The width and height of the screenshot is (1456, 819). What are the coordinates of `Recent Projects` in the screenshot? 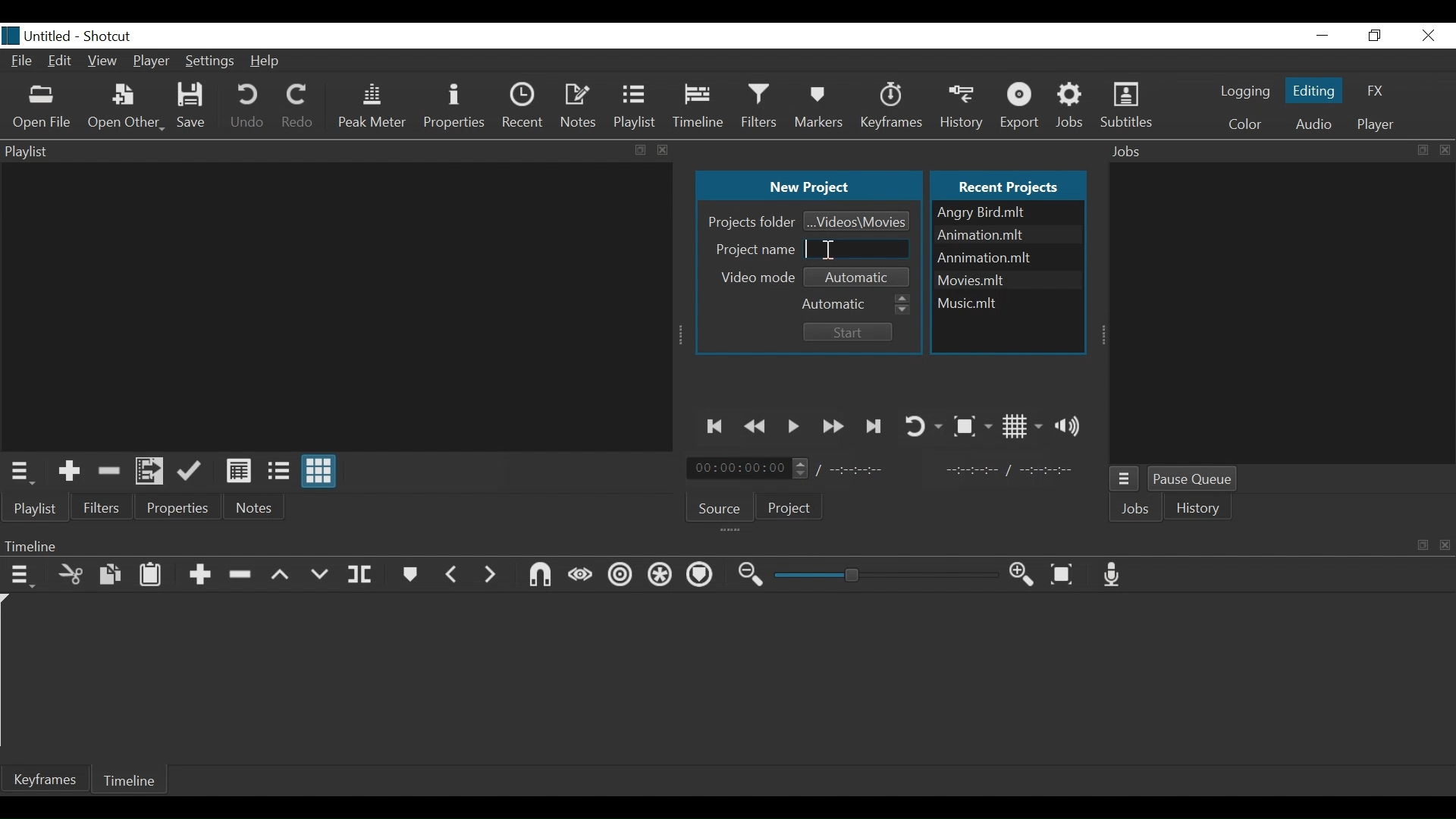 It's located at (1012, 184).